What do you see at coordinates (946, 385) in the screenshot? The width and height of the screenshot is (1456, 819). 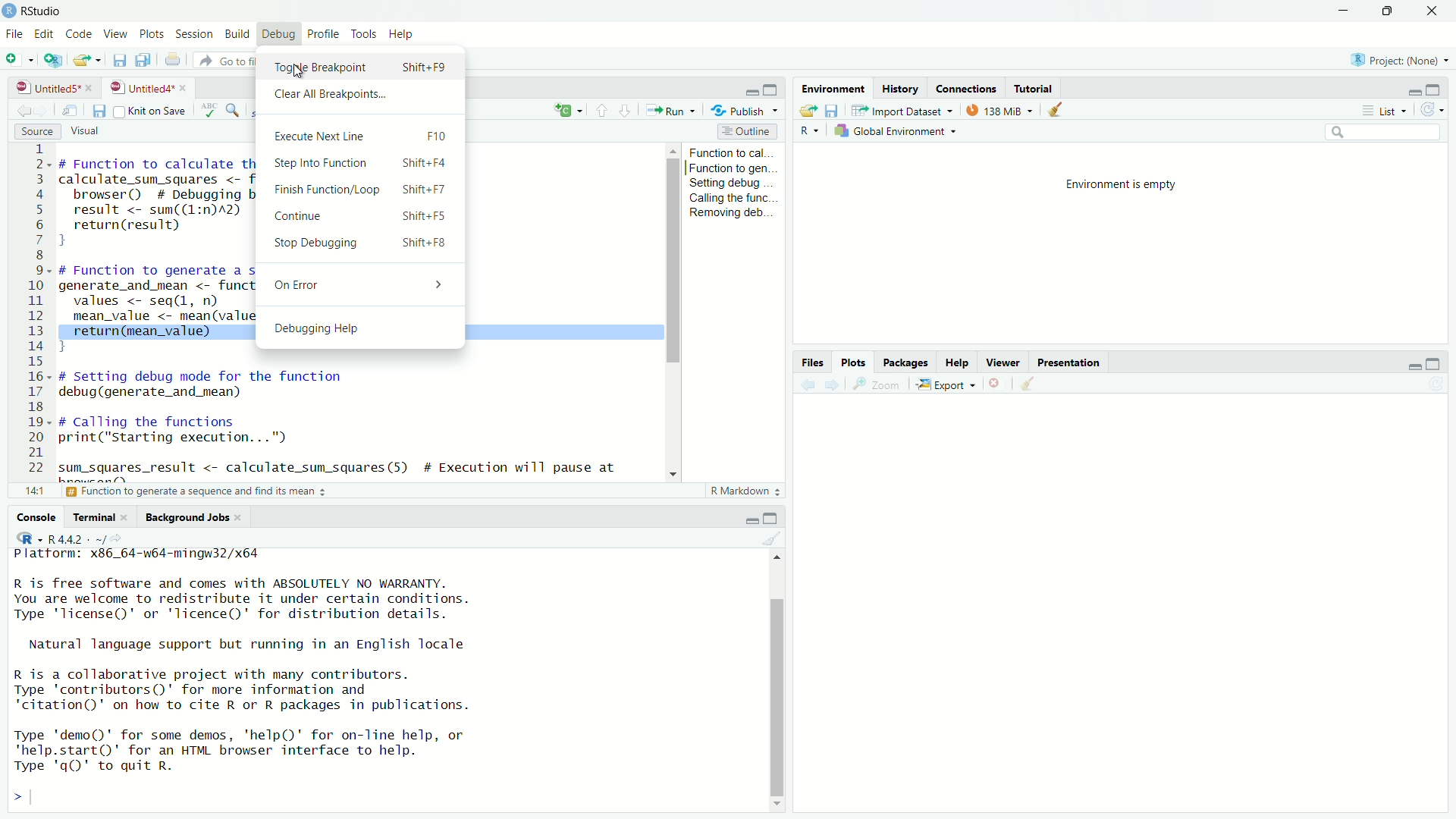 I see `export` at bounding box center [946, 385].